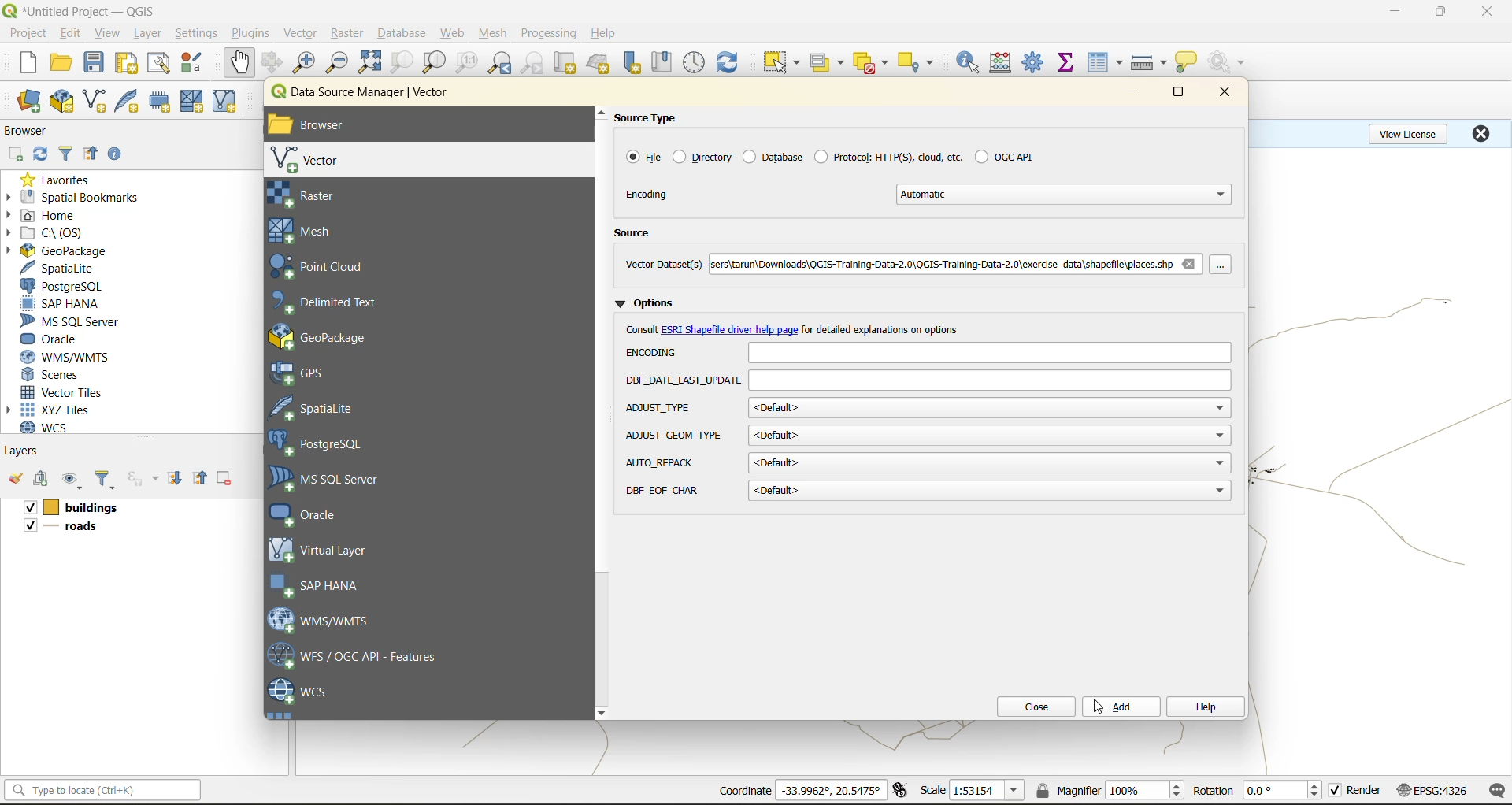 This screenshot has width=1512, height=805. What do you see at coordinates (51, 233) in the screenshot?
I see `c\:os` at bounding box center [51, 233].